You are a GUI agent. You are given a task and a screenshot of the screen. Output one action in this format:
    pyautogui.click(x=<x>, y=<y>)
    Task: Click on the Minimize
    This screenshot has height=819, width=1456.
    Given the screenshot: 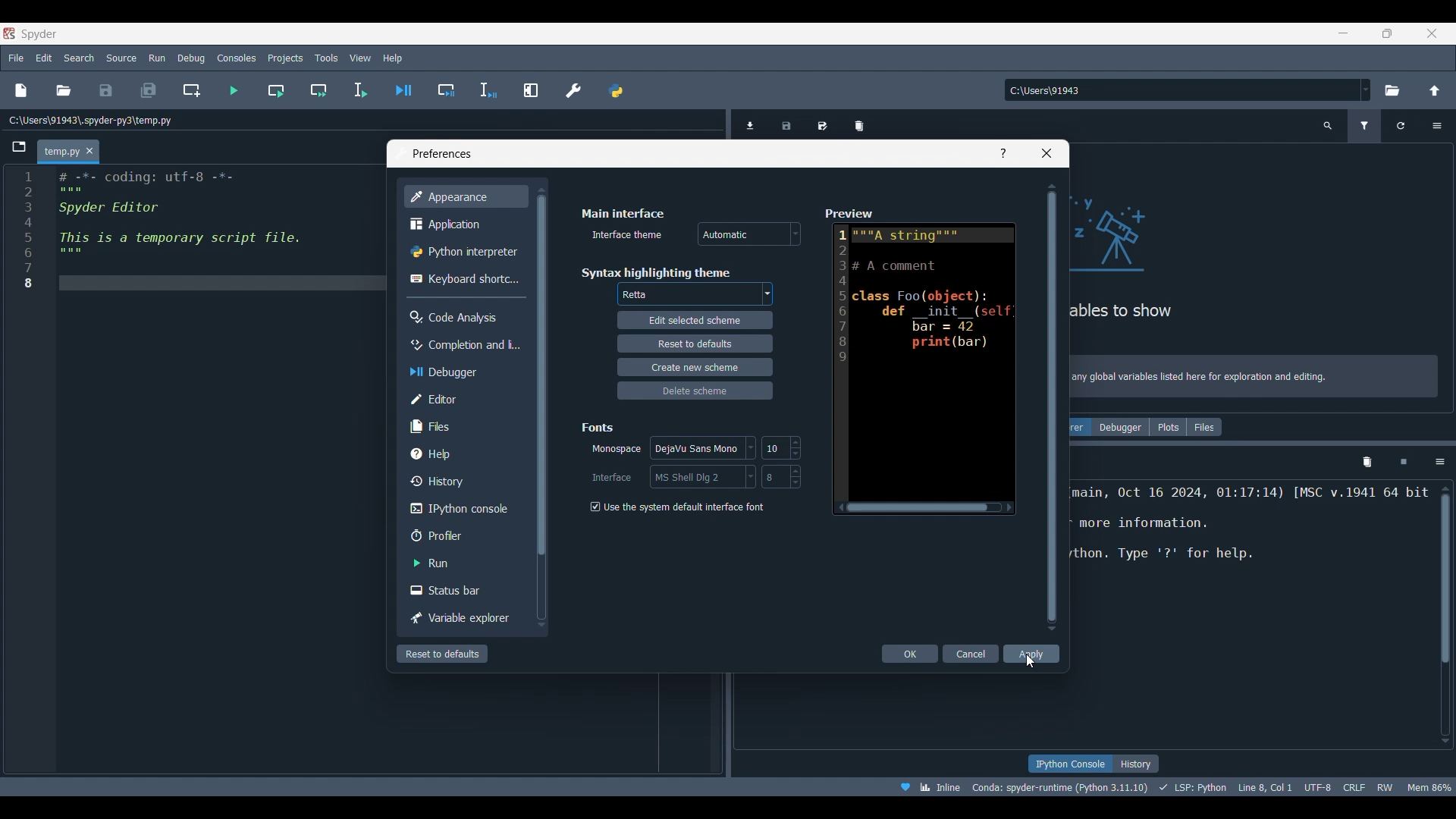 What is the action you would take?
    pyautogui.click(x=1349, y=36)
    